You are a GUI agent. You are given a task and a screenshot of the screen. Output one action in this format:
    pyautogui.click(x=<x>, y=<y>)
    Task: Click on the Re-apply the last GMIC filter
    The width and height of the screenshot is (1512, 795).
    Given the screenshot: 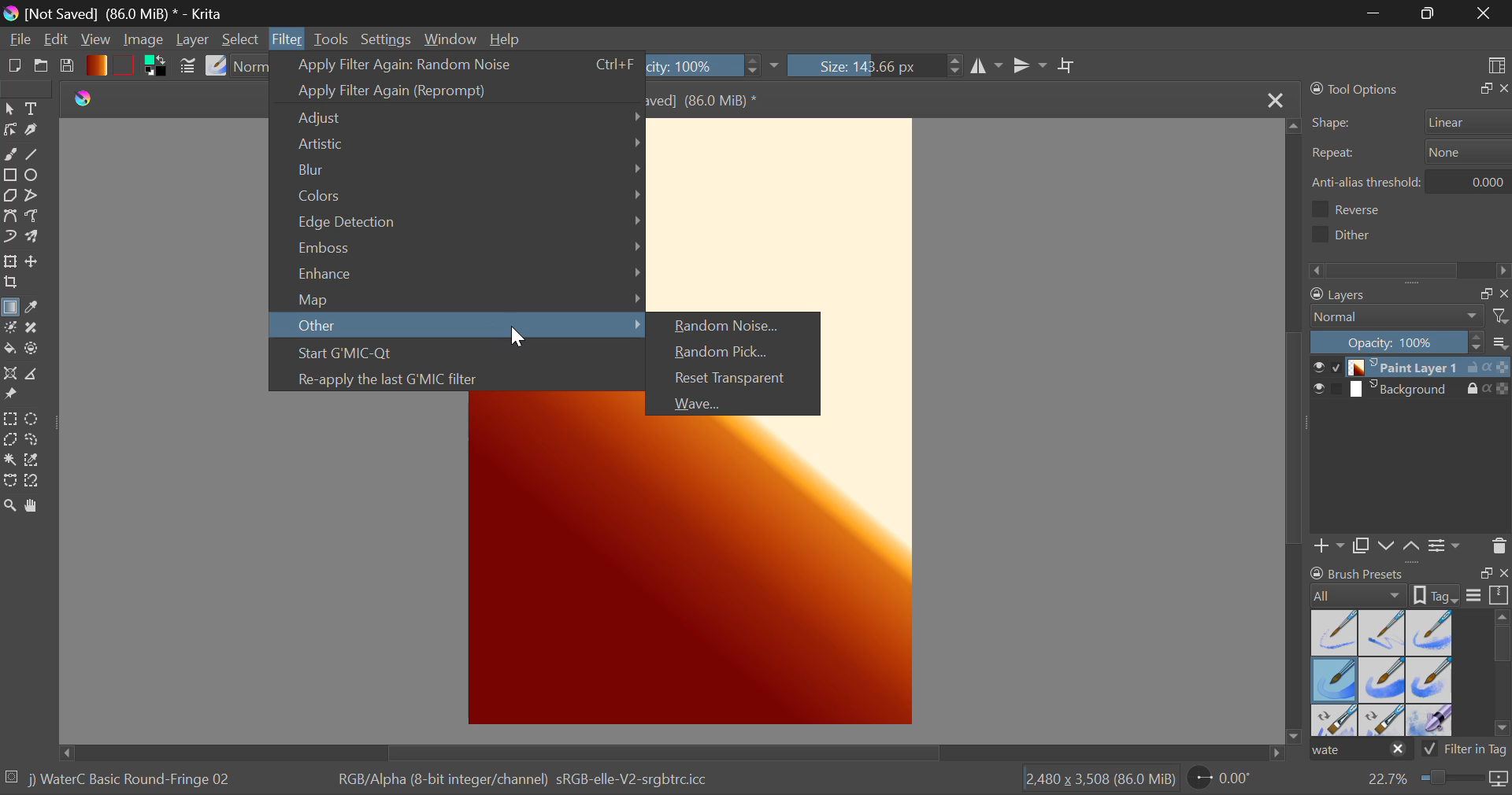 What is the action you would take?
    pyautogui.click(x=459, y=380)
    